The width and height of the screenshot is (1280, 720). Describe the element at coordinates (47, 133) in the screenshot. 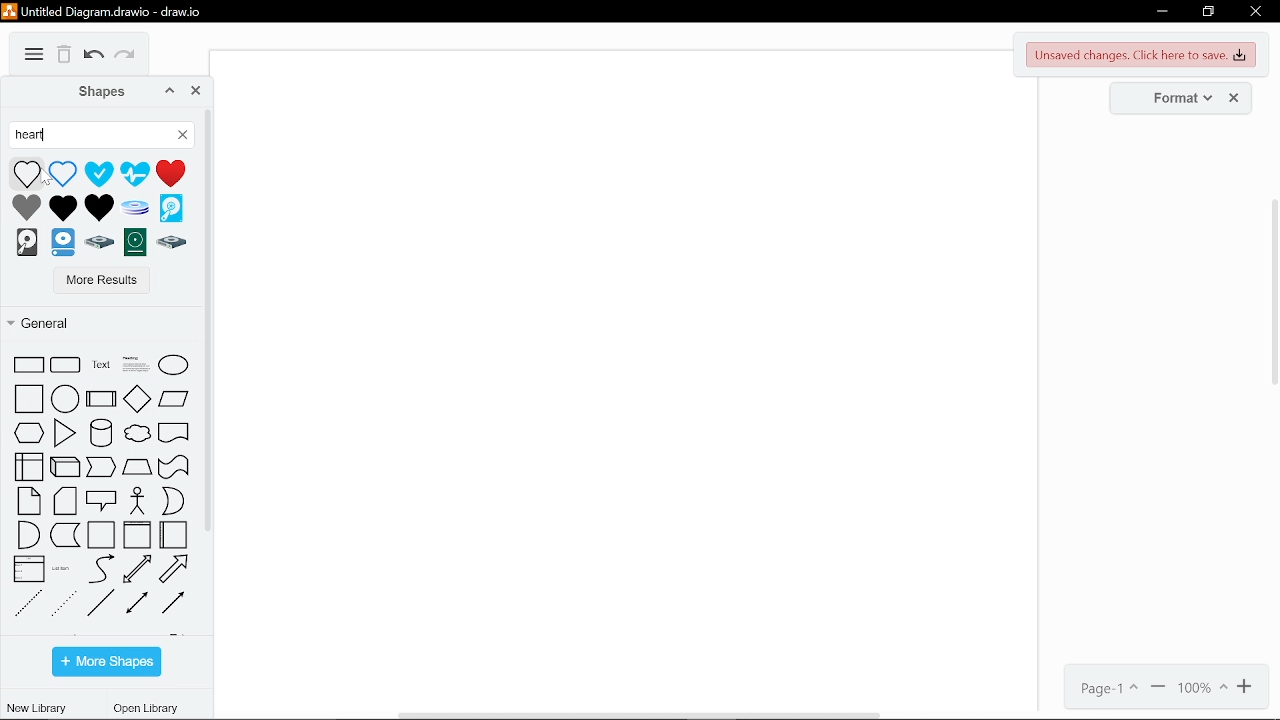

I see `text cursor` at that location.